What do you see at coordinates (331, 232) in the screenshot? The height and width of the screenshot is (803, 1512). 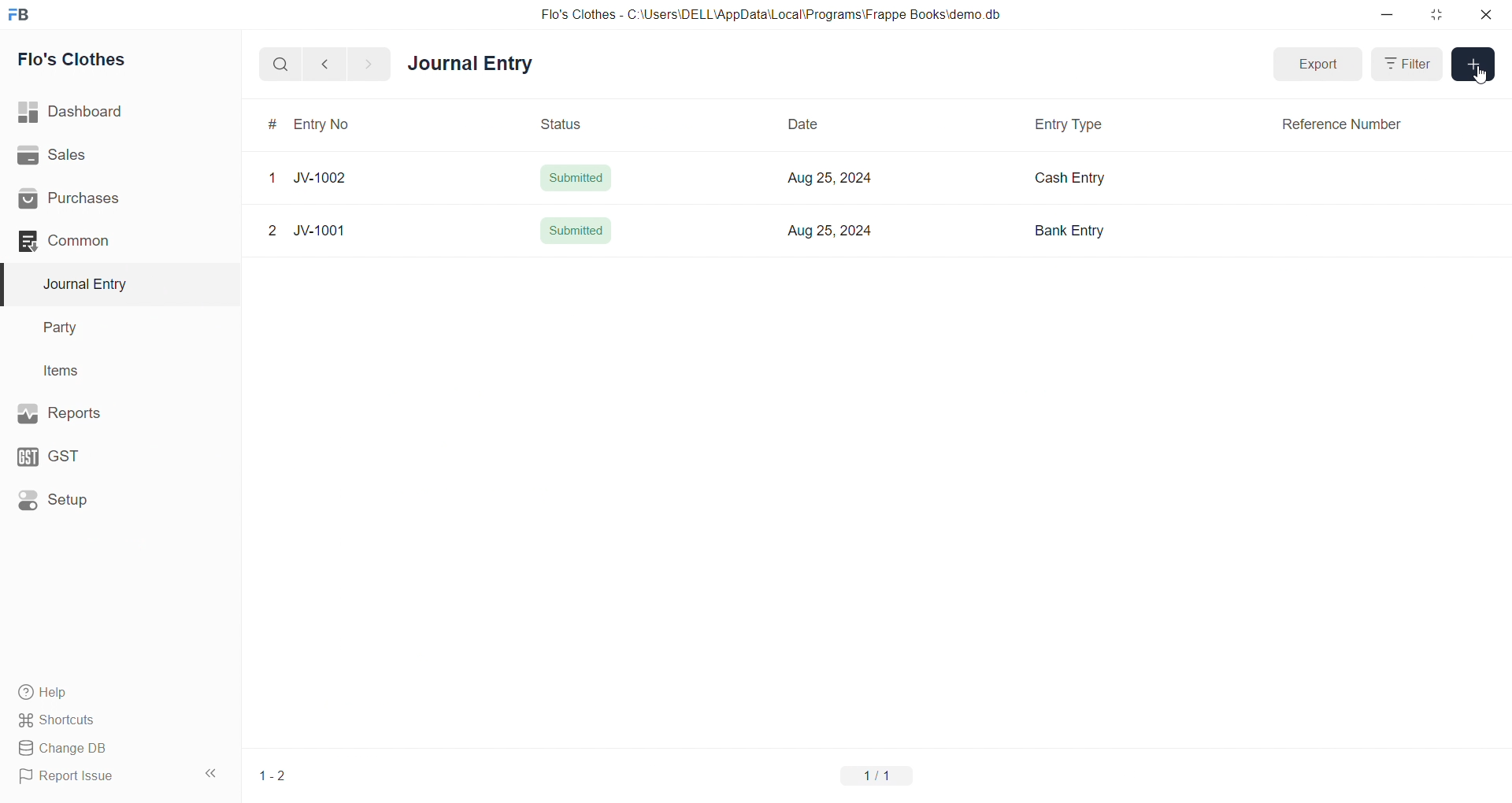 I see `JV-1001` at bounding box center [331, 232].